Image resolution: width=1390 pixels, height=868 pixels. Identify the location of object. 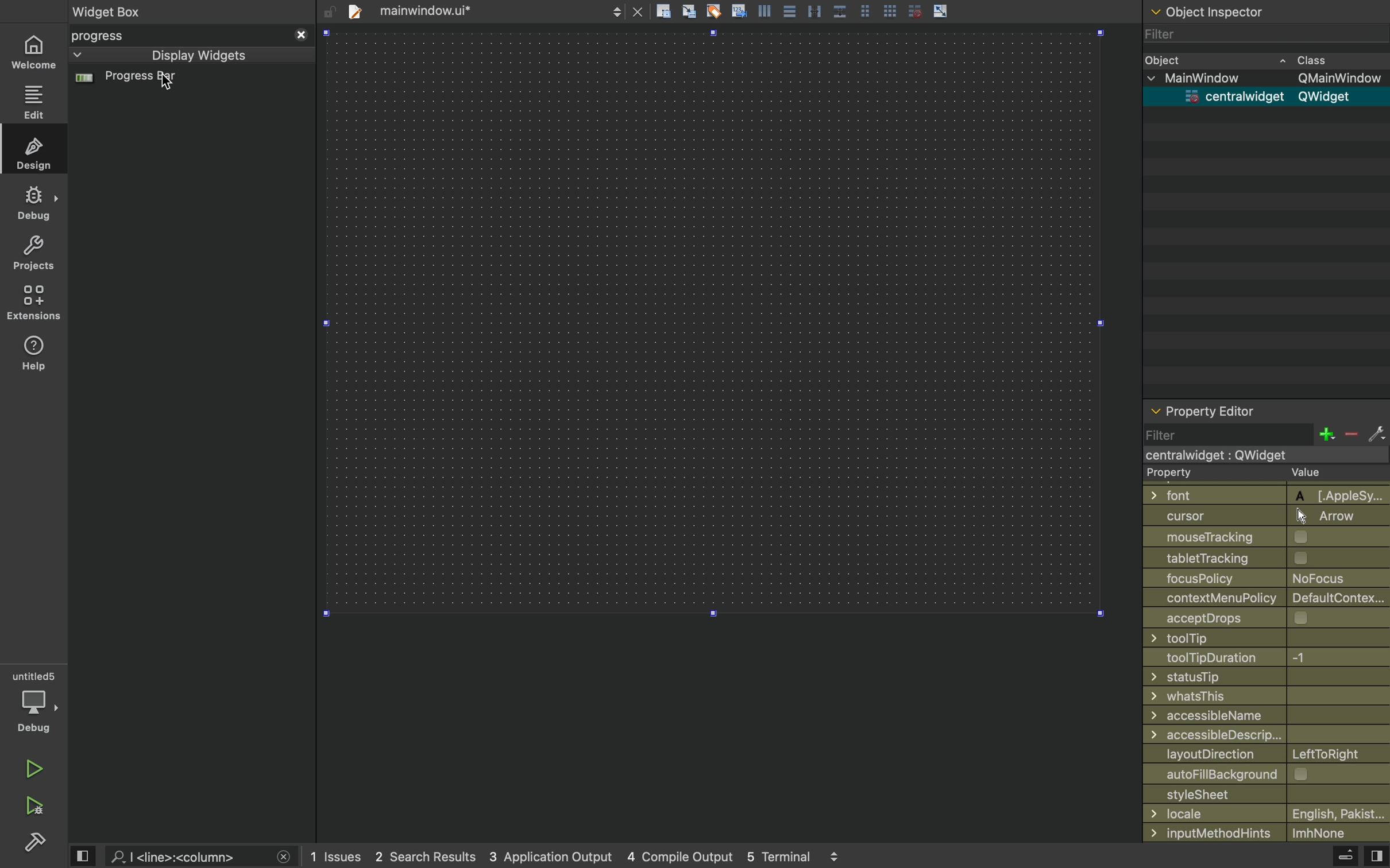
(1254, 59).